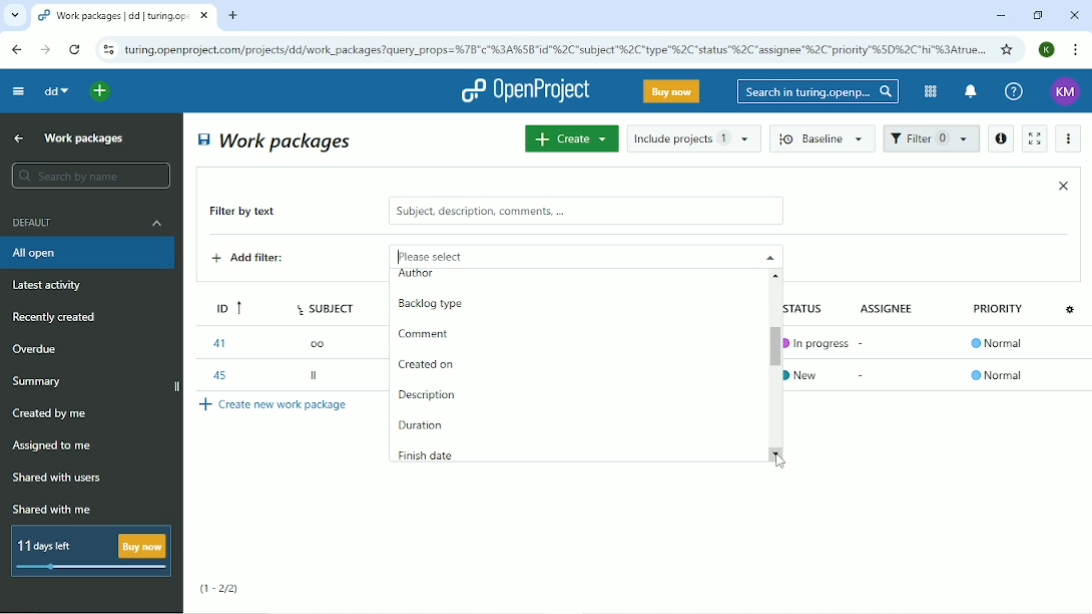  Describe the element at coordinates (89, 222) in the screenshot. I see `Default` at that location.